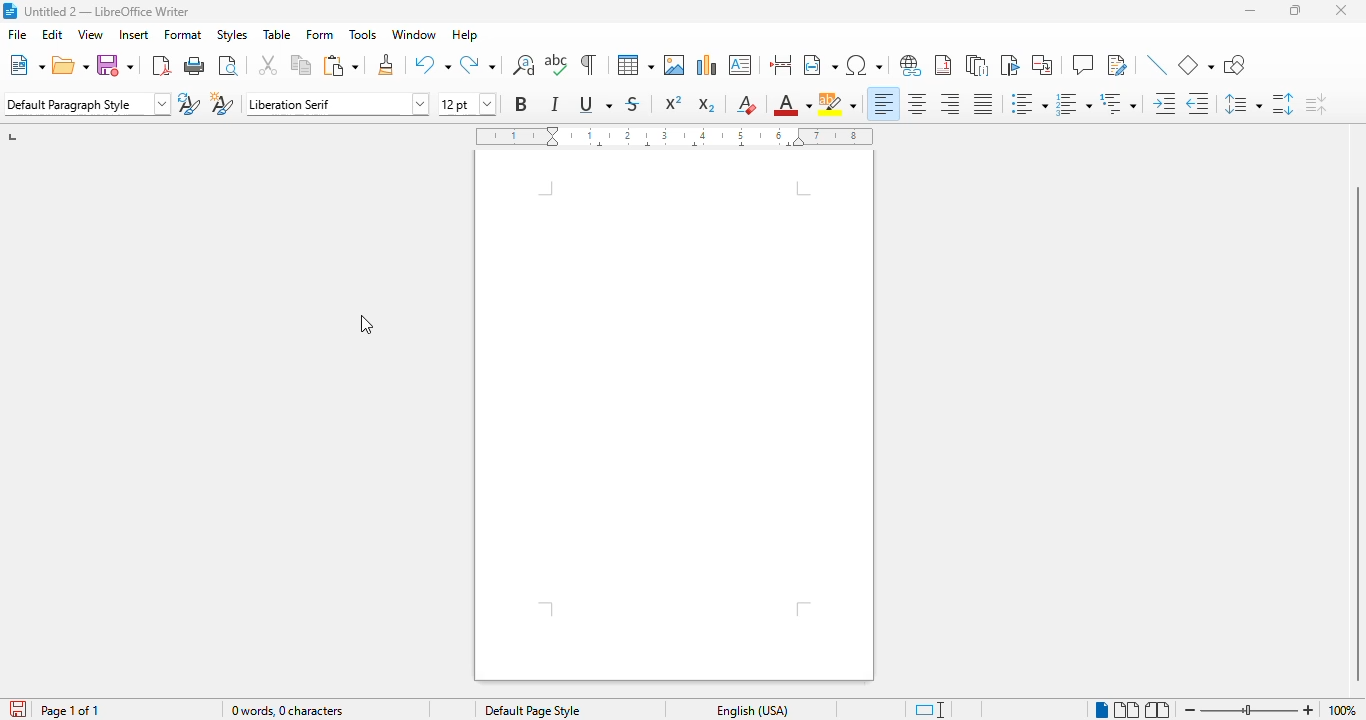  Describe the element at coordinates (1294, 10) in the screenshot. I see `maximize` at that location.